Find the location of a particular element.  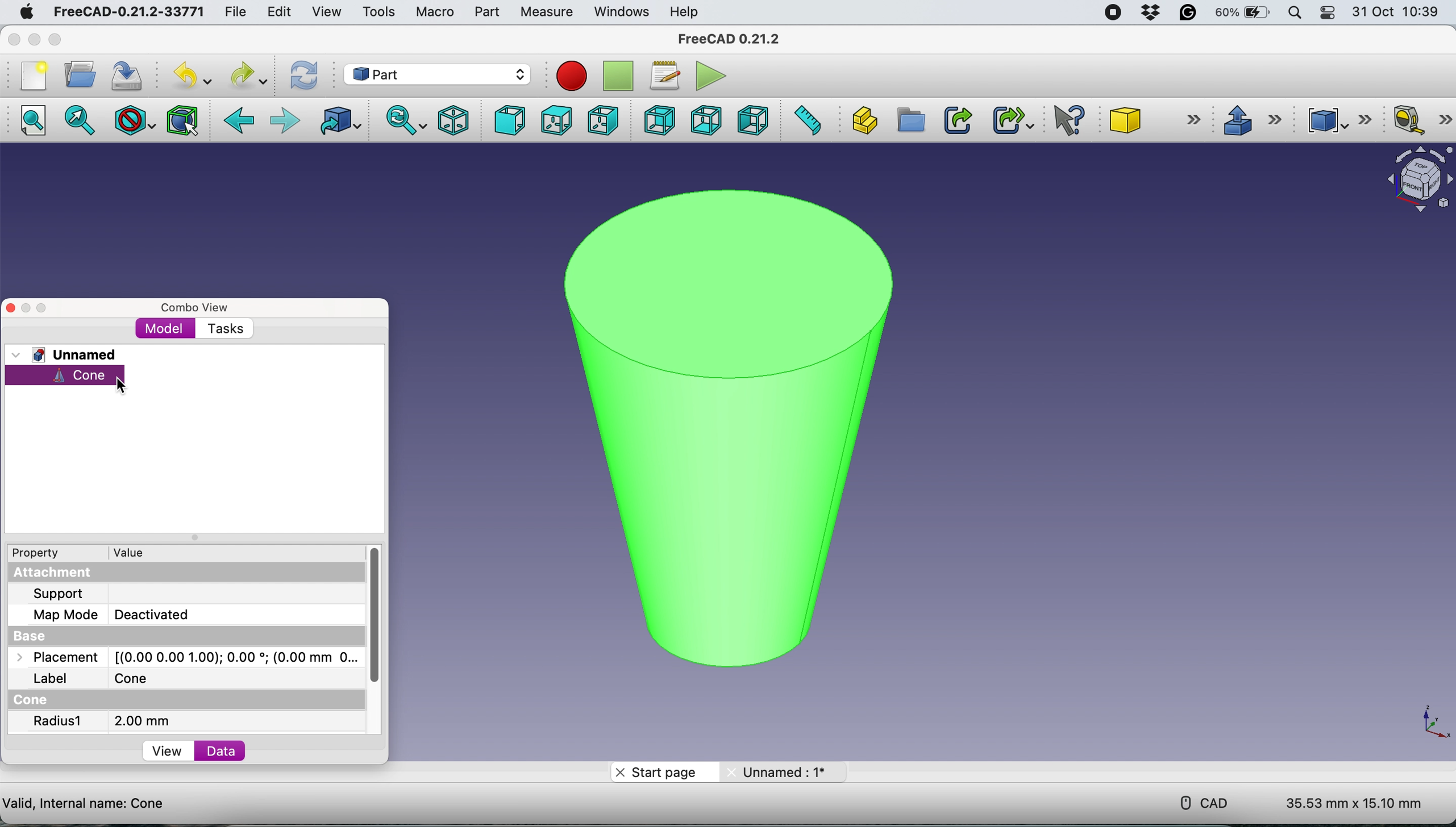

macro is located at coordinates (434, 11).